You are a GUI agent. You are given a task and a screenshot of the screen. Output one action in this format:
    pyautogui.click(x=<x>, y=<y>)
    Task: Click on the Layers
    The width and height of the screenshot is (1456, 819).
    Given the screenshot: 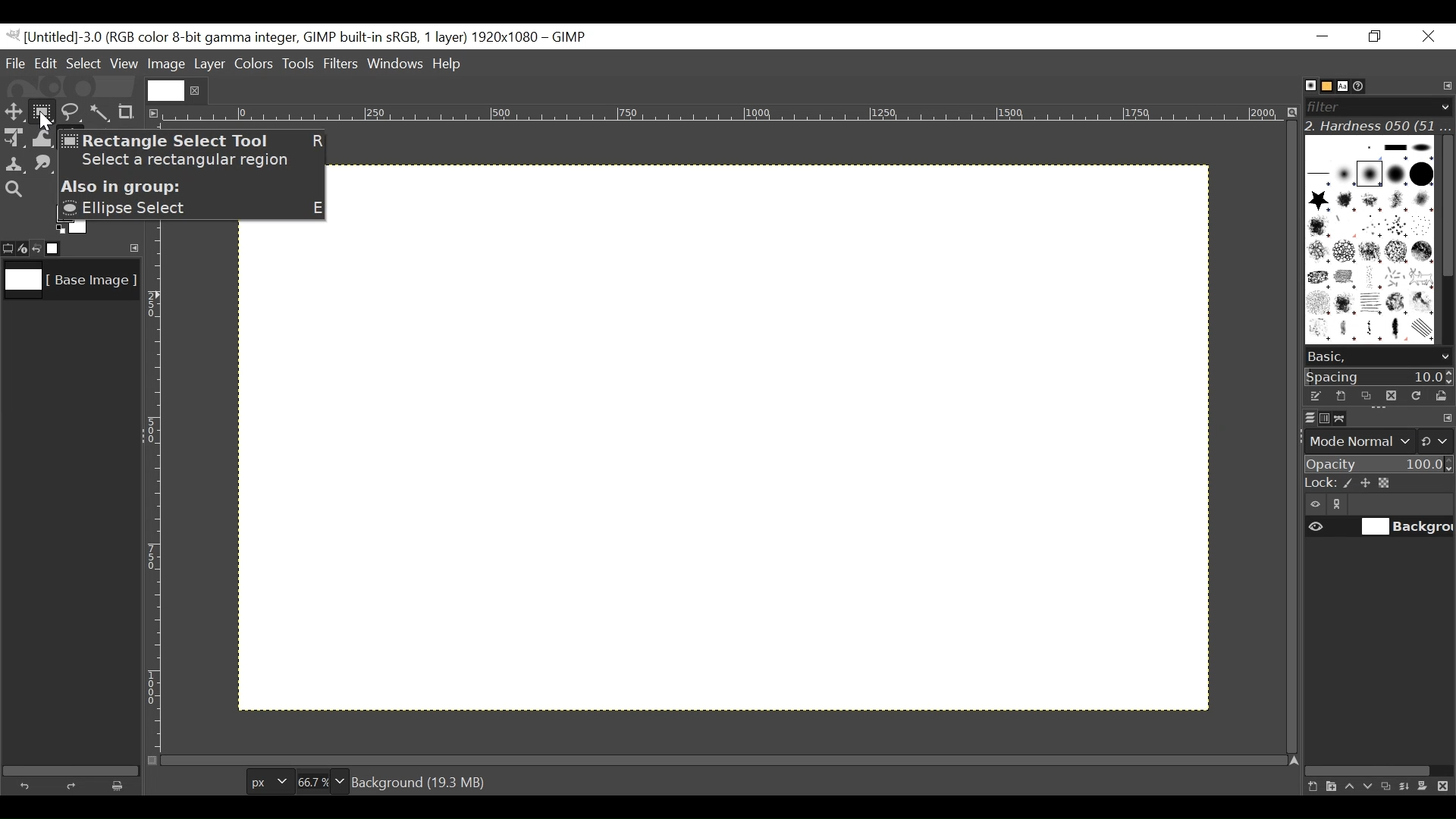 What is the action you would take?
    pyautogui.click(x=1301, y=417)
    